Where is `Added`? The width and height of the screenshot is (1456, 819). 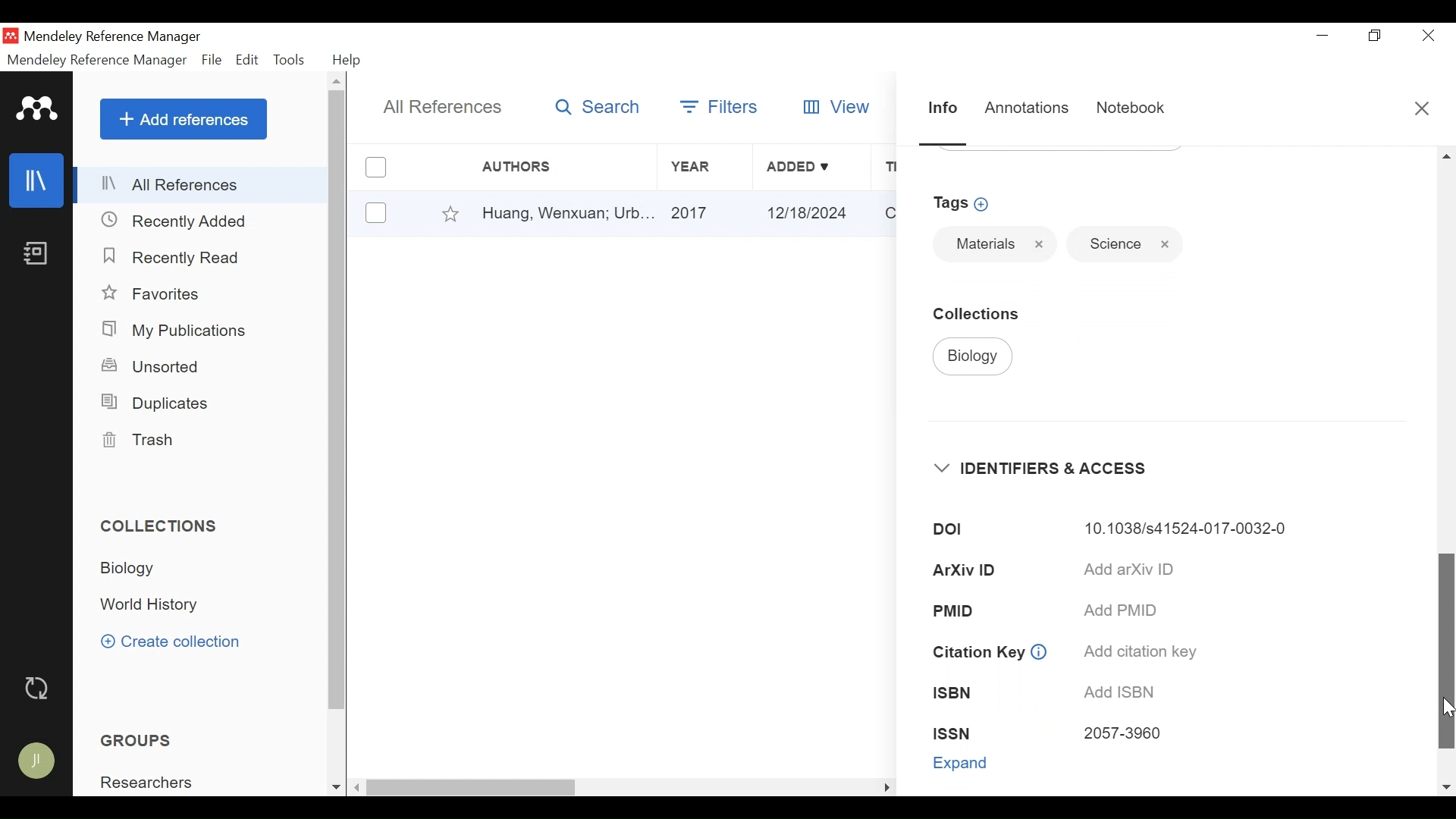
Added is located at coordinates (811, 167).